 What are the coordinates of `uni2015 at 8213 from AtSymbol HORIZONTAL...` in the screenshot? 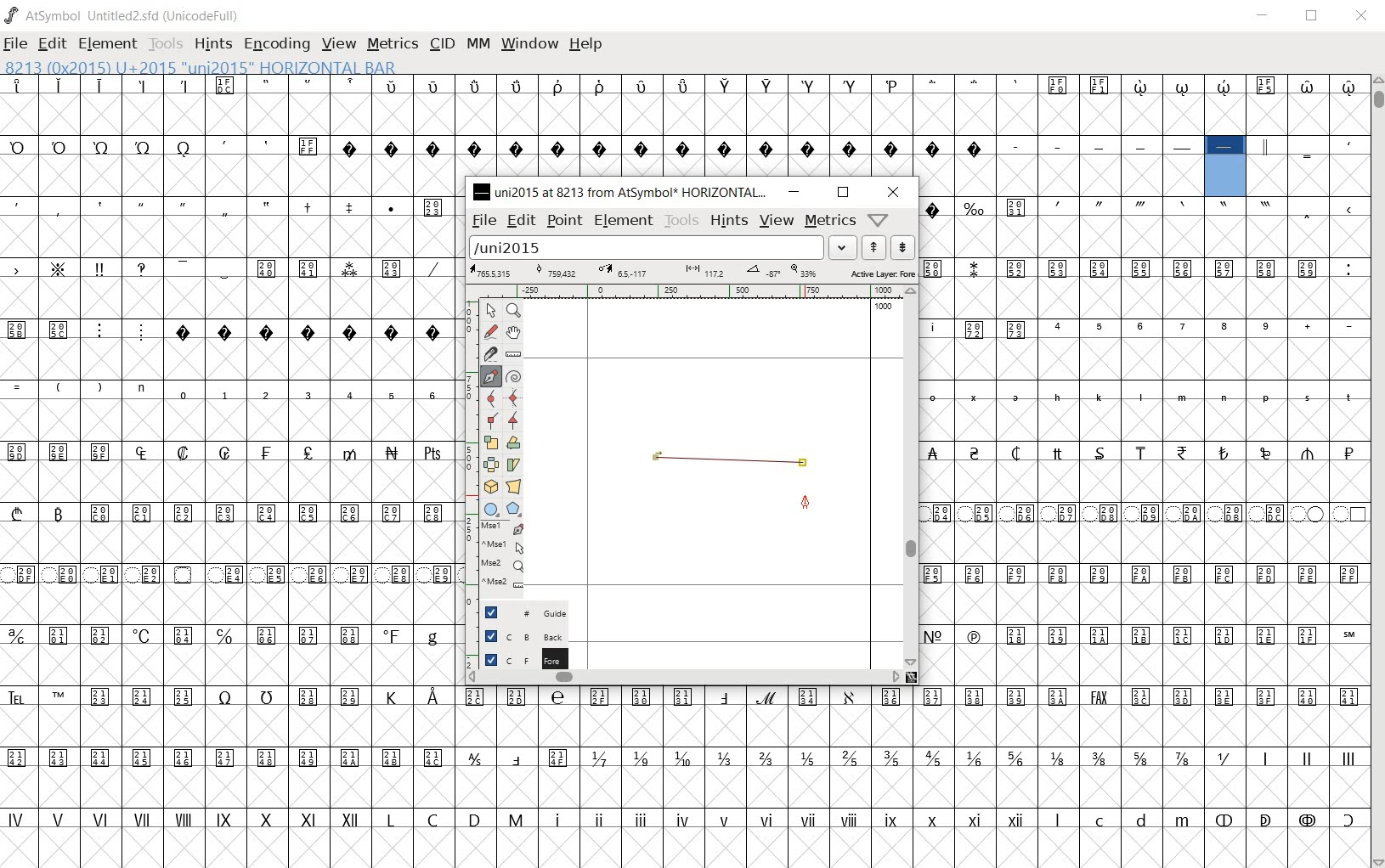 It's located at (620, 192).